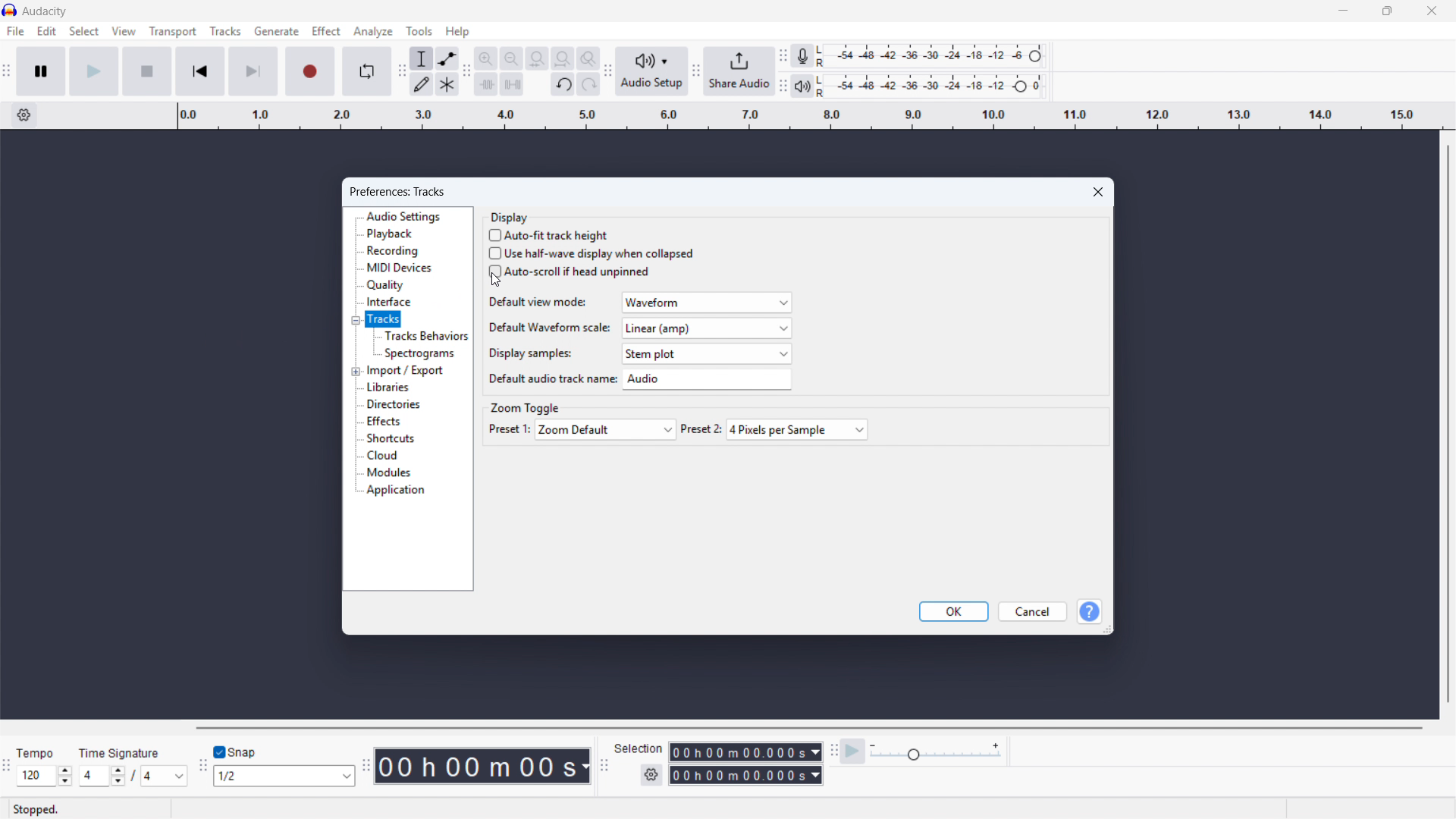 The width and height of the screenshot is (1456, 819). I want to click on help, so click(458, 31).